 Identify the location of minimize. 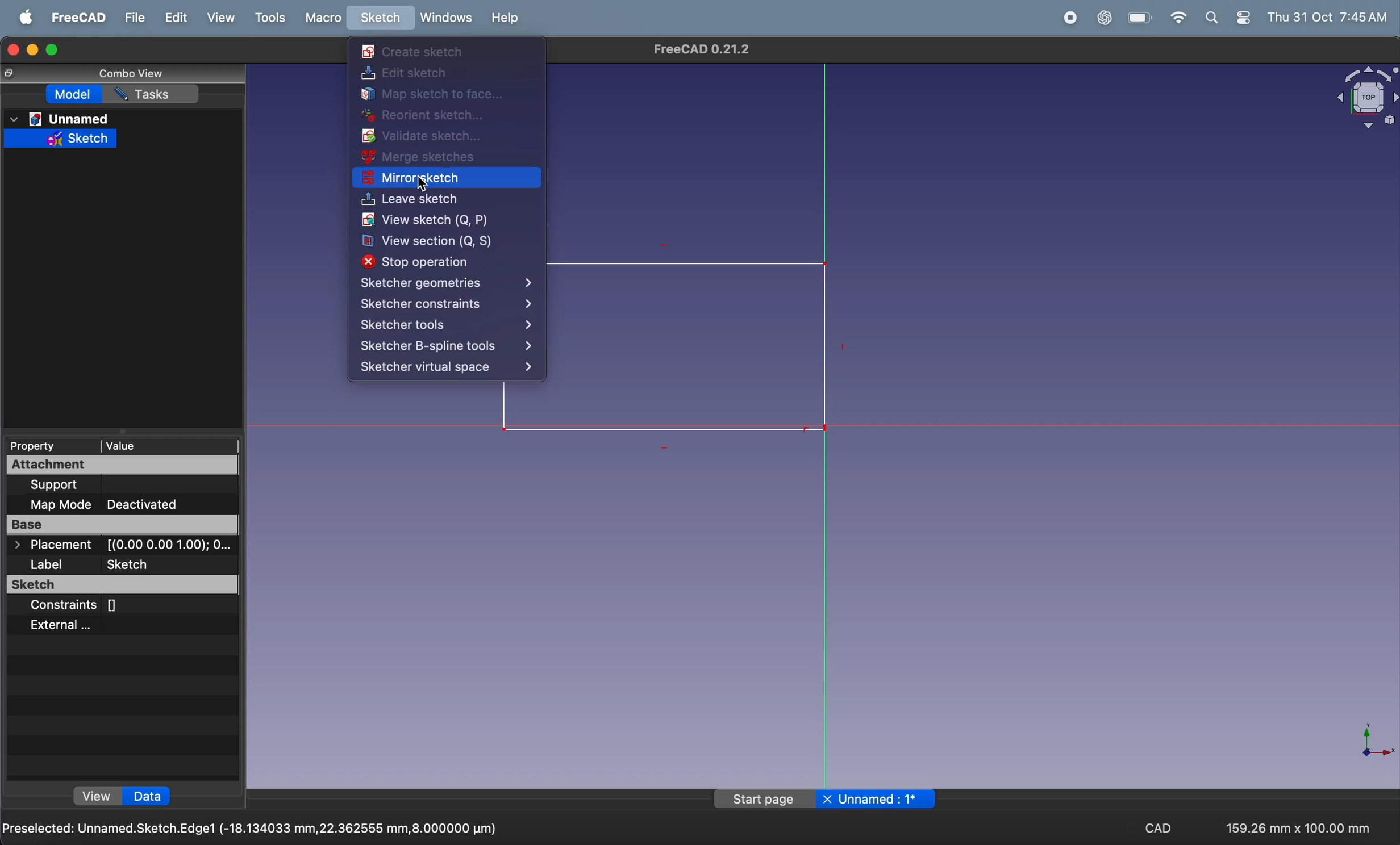
(34, 48).